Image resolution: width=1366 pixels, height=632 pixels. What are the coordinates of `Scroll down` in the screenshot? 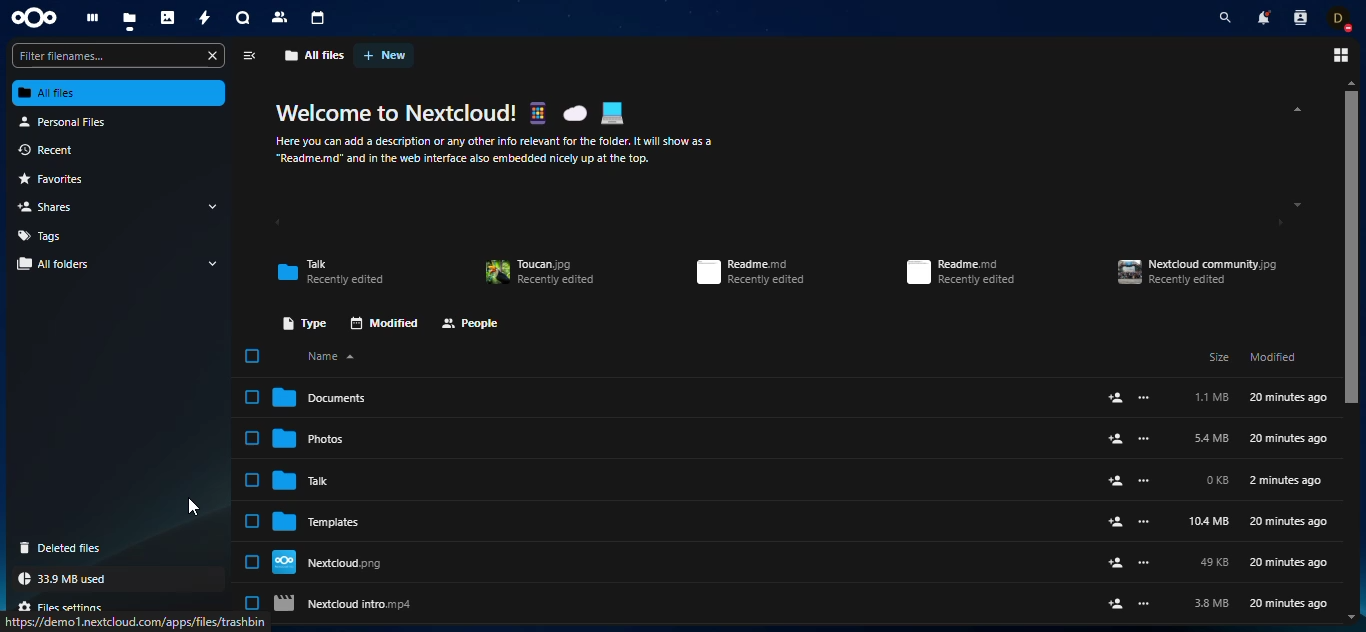 It's located at (1298, 203).